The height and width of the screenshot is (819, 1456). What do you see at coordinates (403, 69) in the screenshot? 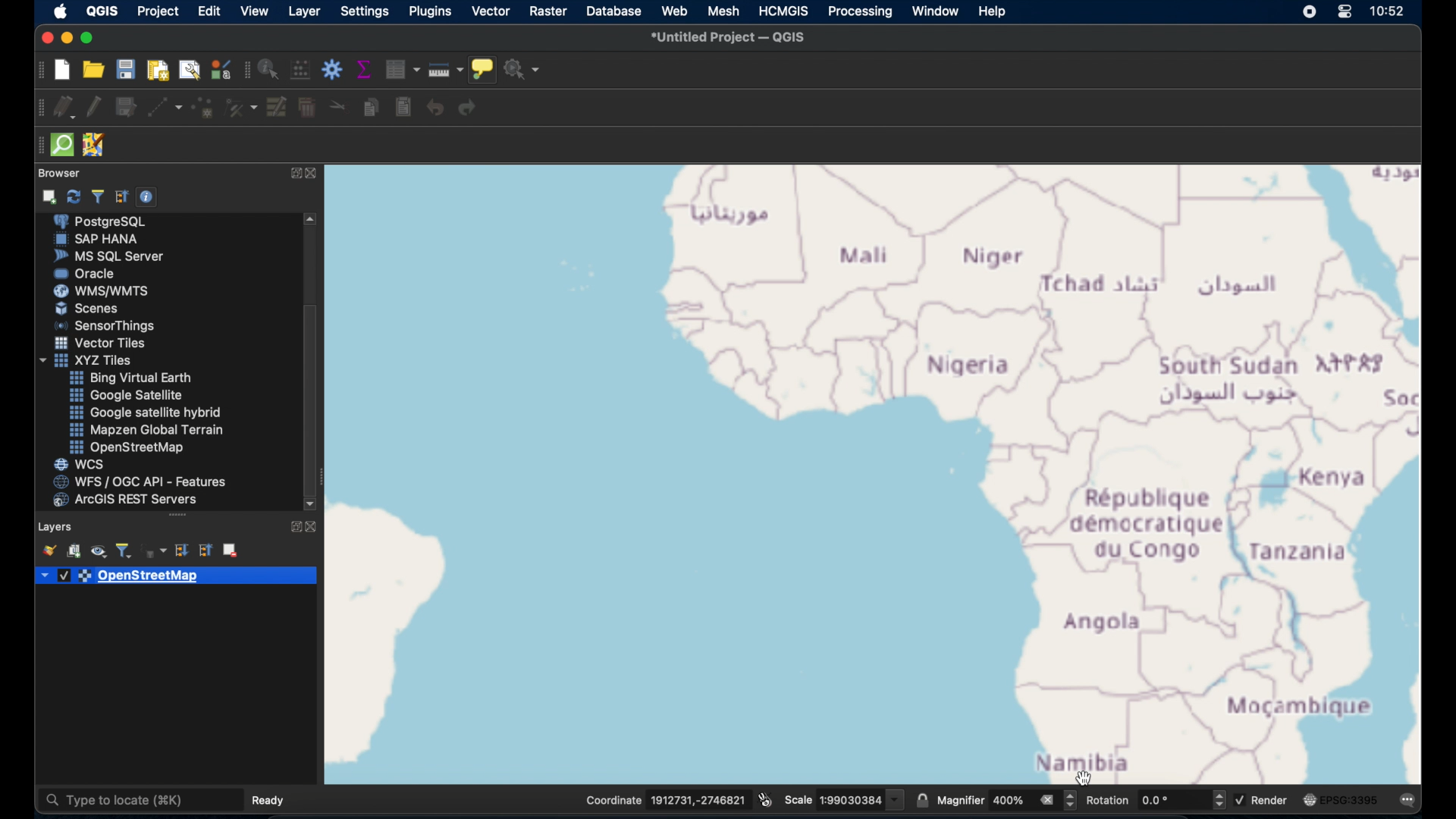
I see `open attribute table` at bounding box center [403, 69].